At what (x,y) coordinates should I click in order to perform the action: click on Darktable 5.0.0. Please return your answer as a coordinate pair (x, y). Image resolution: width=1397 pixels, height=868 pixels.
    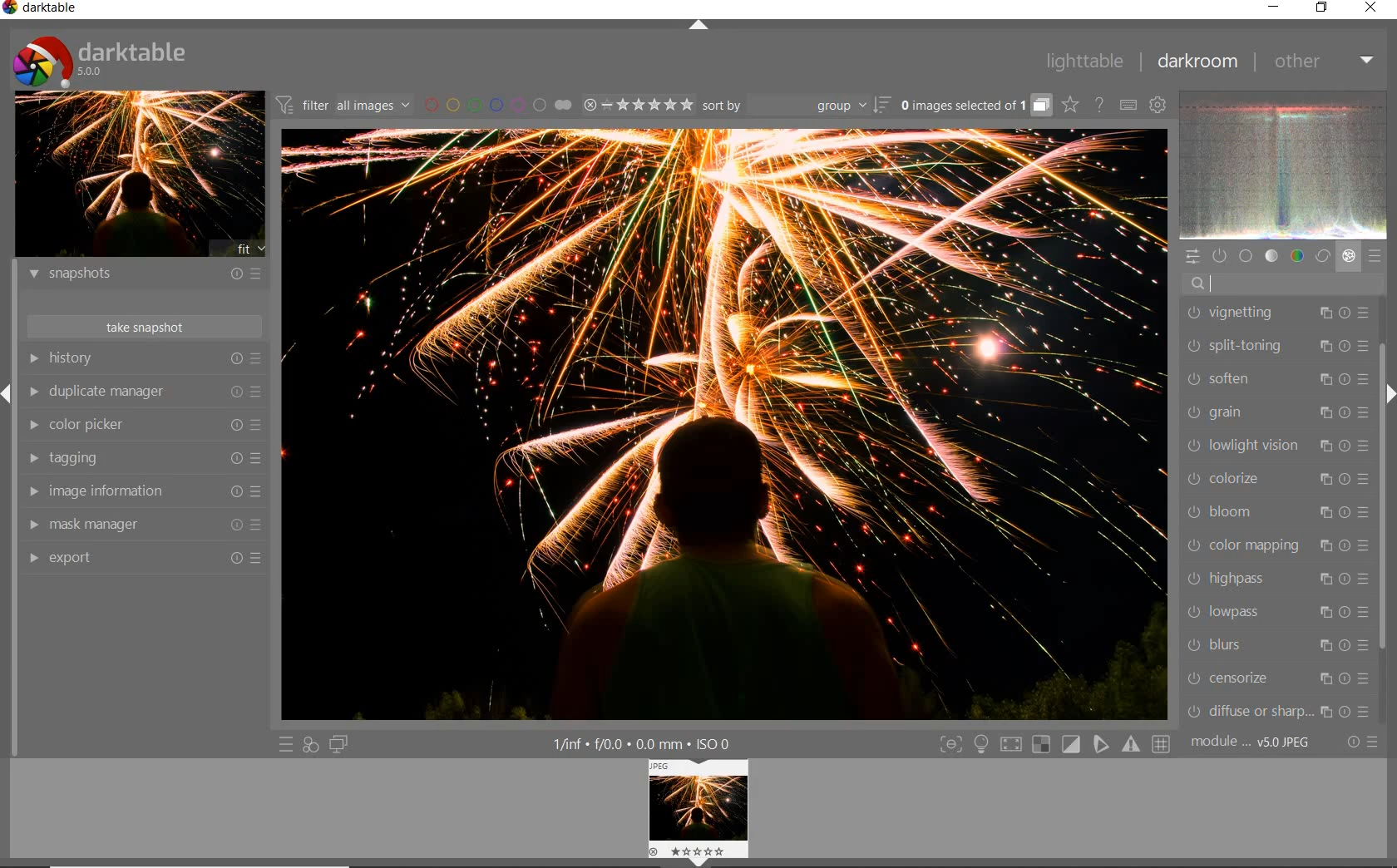
    Looking at the image, I should click on (99, 61).